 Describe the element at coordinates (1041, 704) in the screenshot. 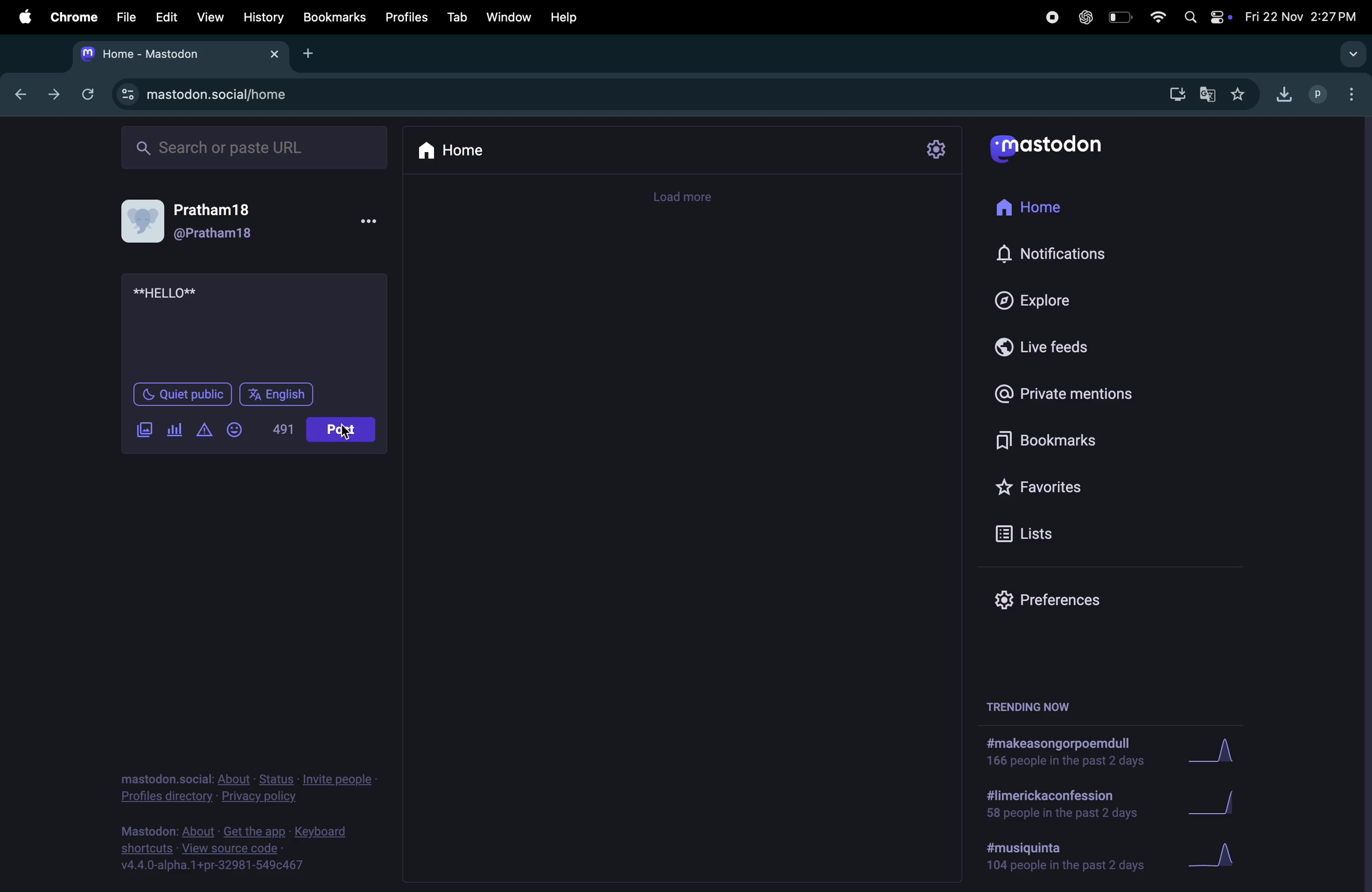

I see `trending now` at that location.